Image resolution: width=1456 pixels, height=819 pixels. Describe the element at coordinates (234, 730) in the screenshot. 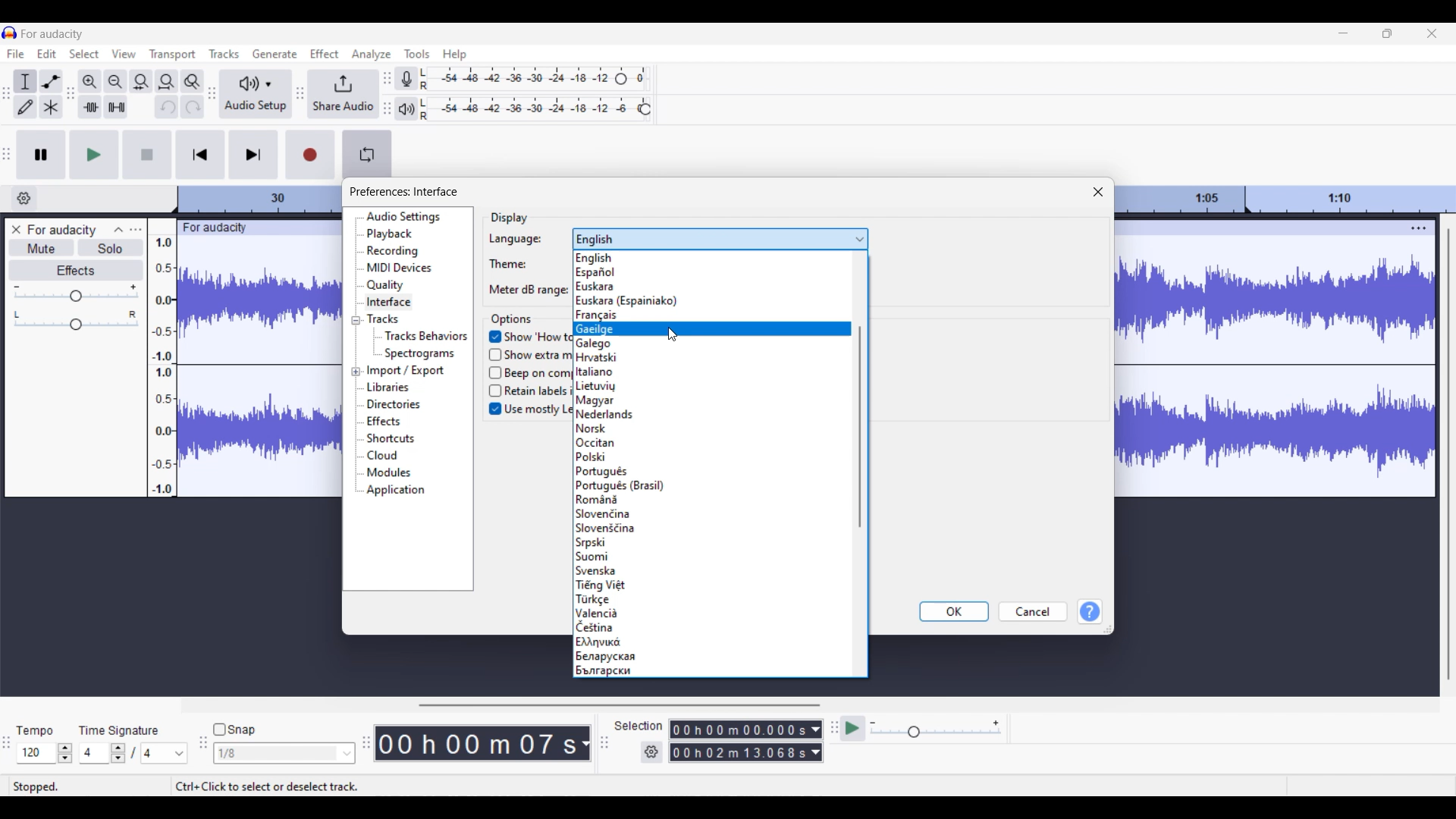

I see `Snap toggle` at that location.